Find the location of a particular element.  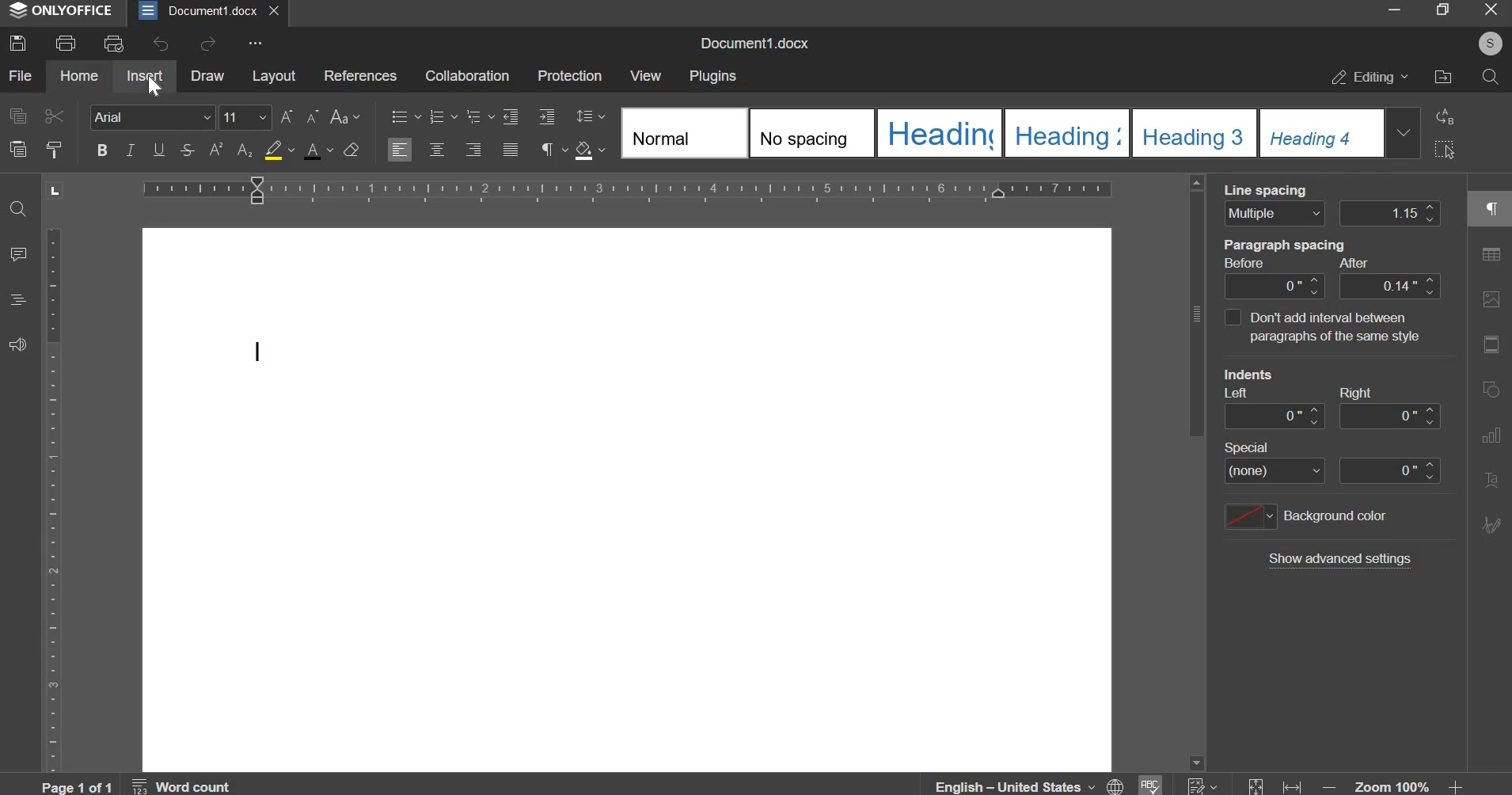

minimize is located at coordinates (1392, 10).